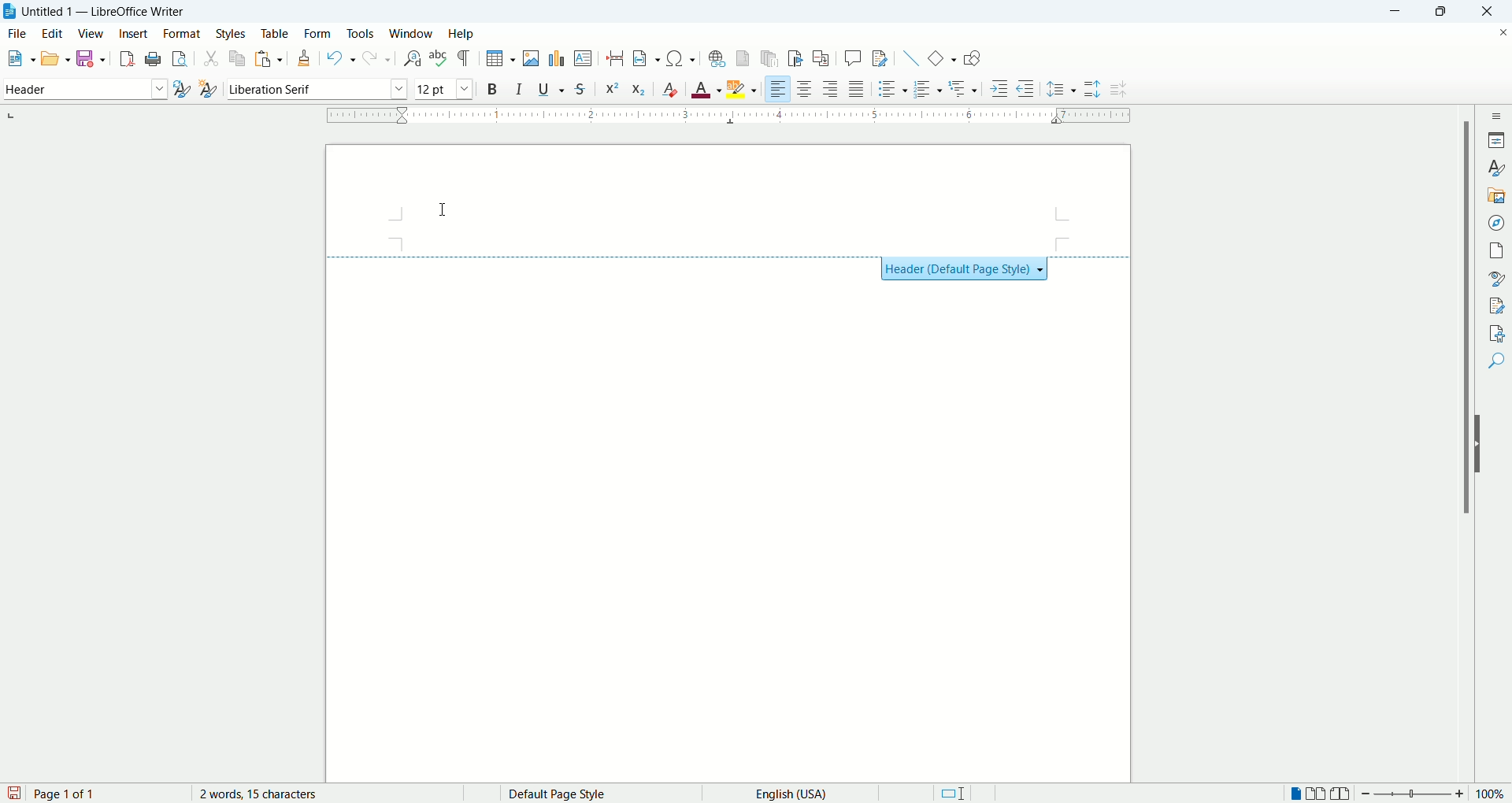  I want to click on minimize, so click(1392, 10).